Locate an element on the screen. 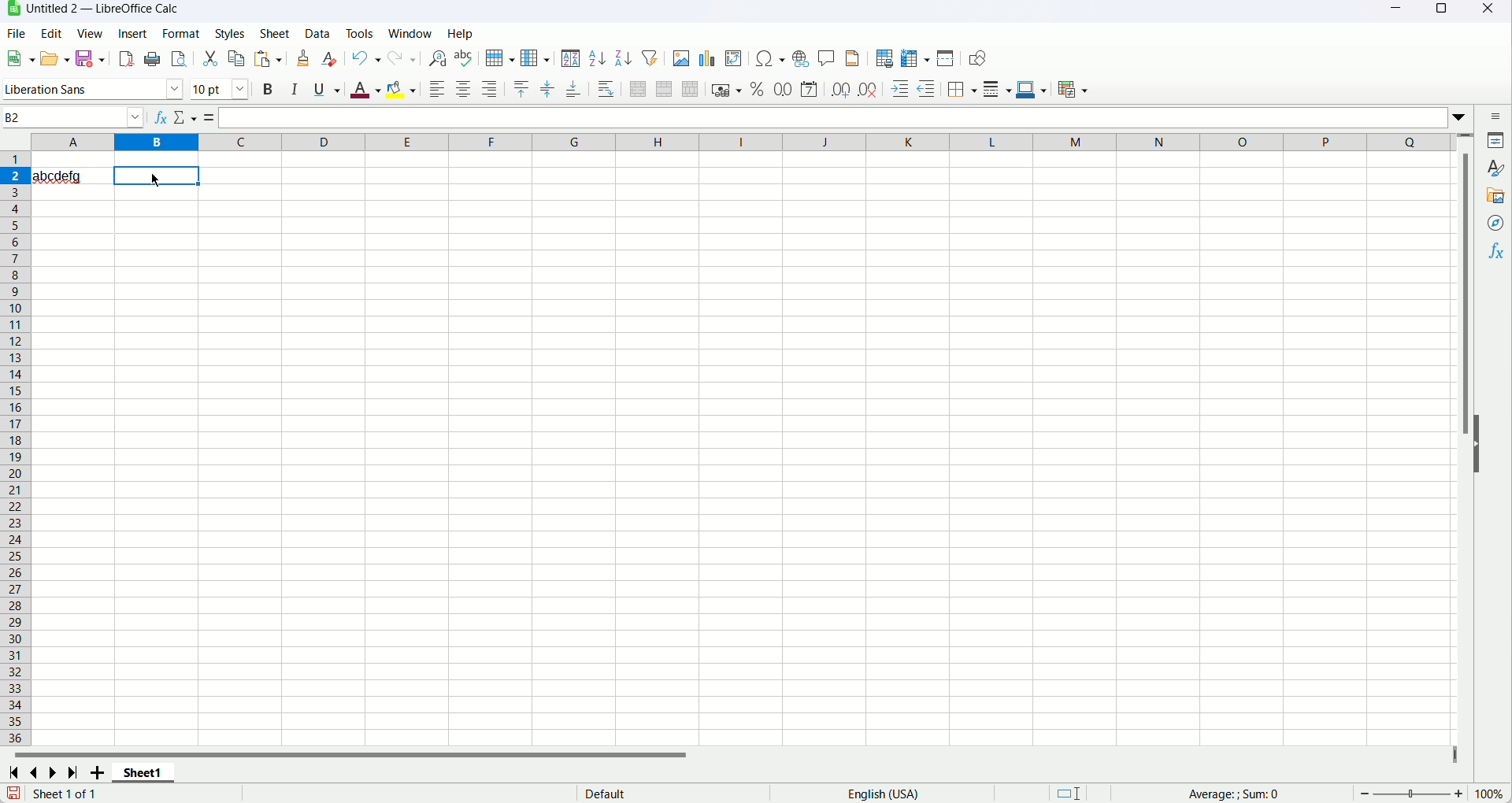 The image size is (1512, 803). undo is located at coordinates (366, 59).